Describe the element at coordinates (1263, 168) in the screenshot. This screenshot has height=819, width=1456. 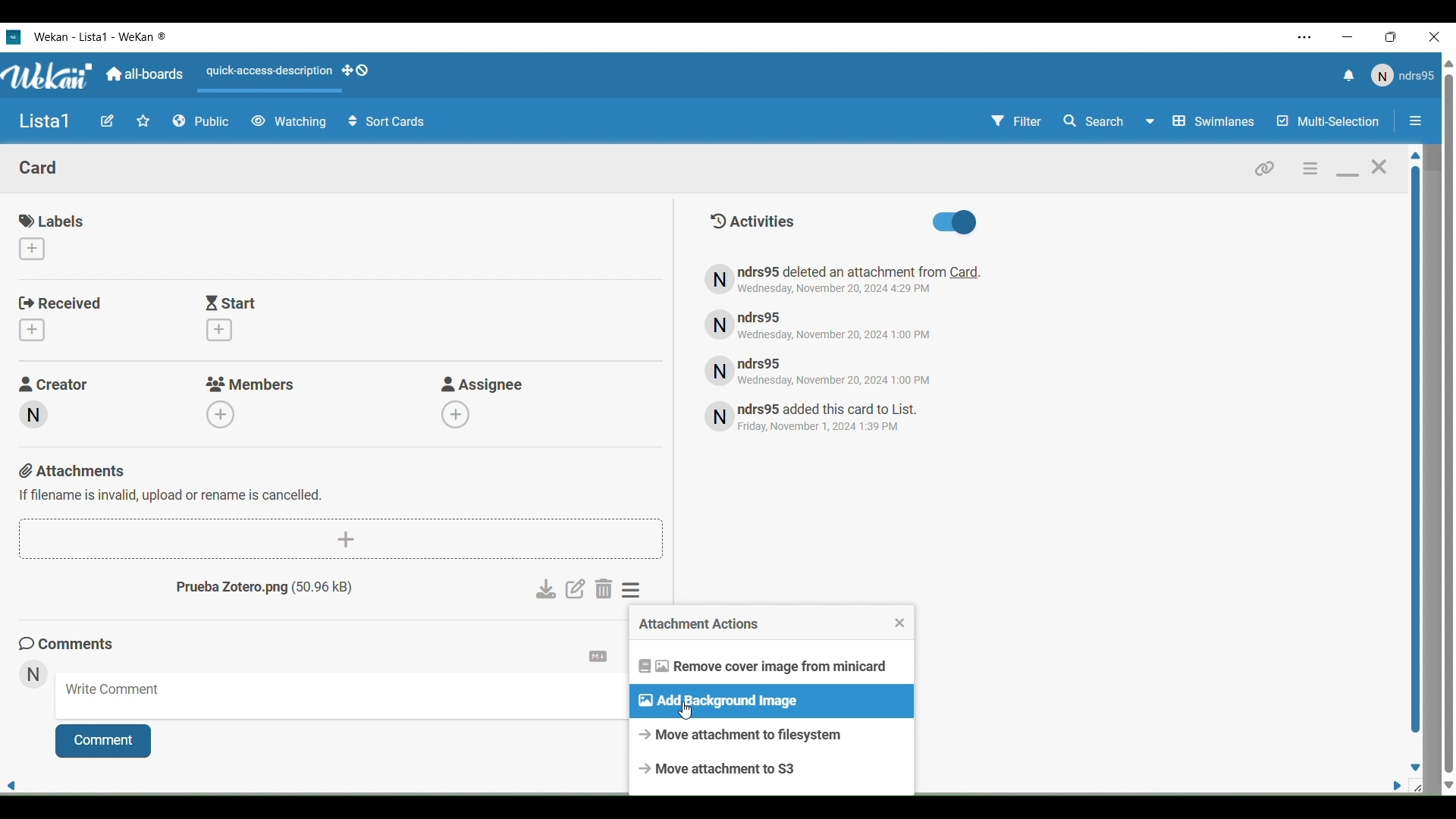
I see `Link` at that location.